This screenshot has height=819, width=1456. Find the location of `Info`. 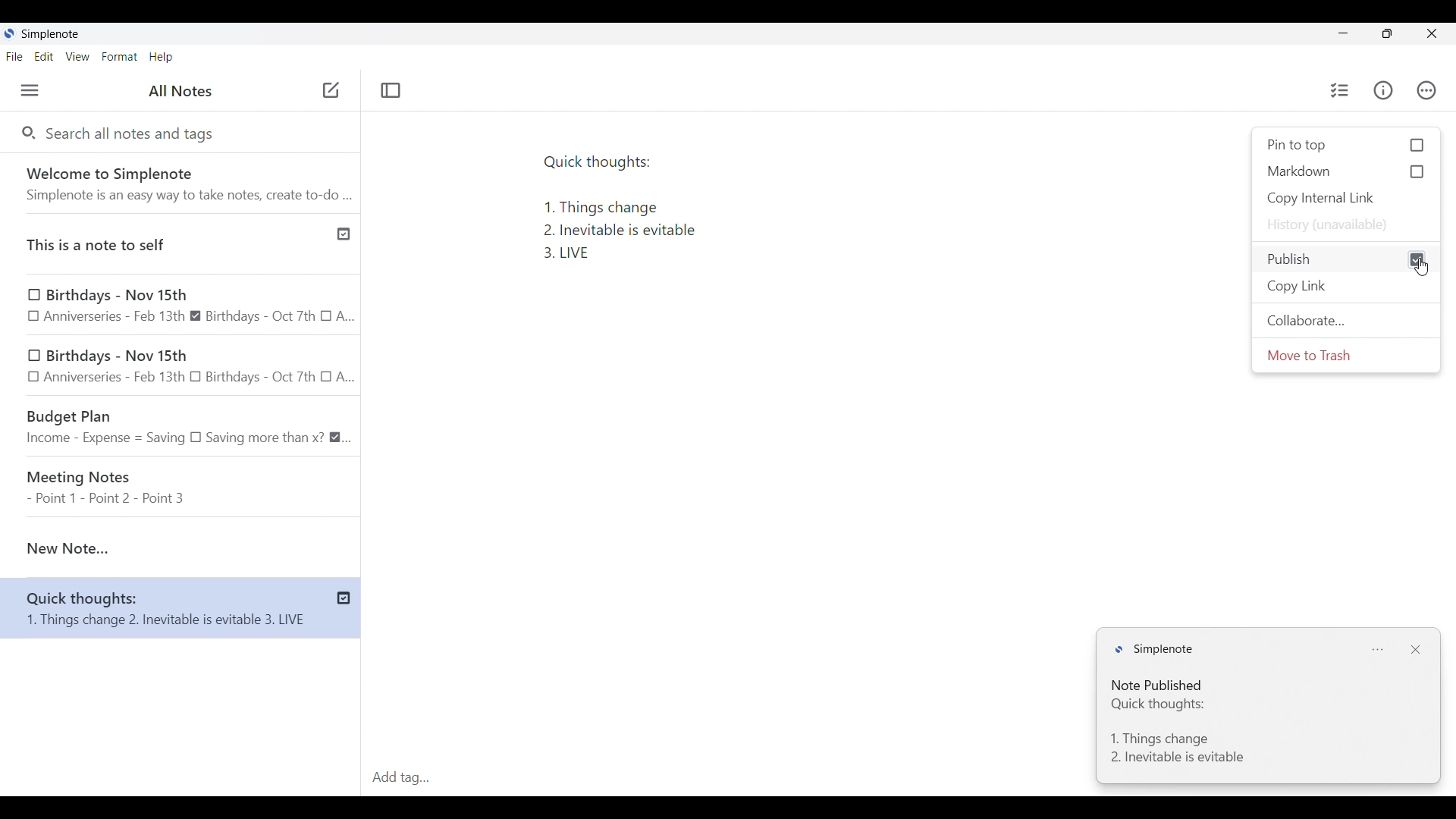

Info is located at coordinates (1383, 90).